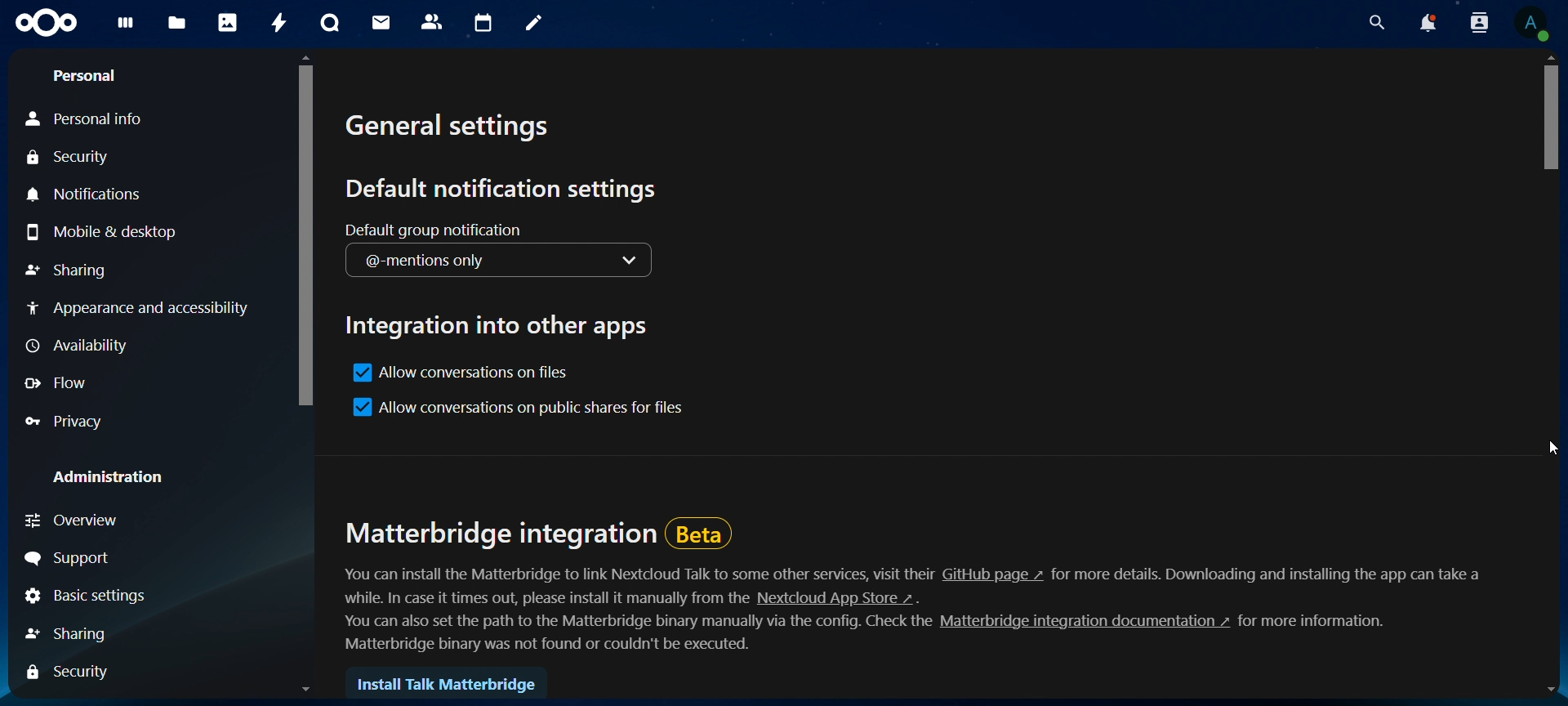 Image resolution: width=1568 pixels, height=706 pixels. Describe the element at coordinates (149, 521) in the screenshot. I see `Overview` at that location.